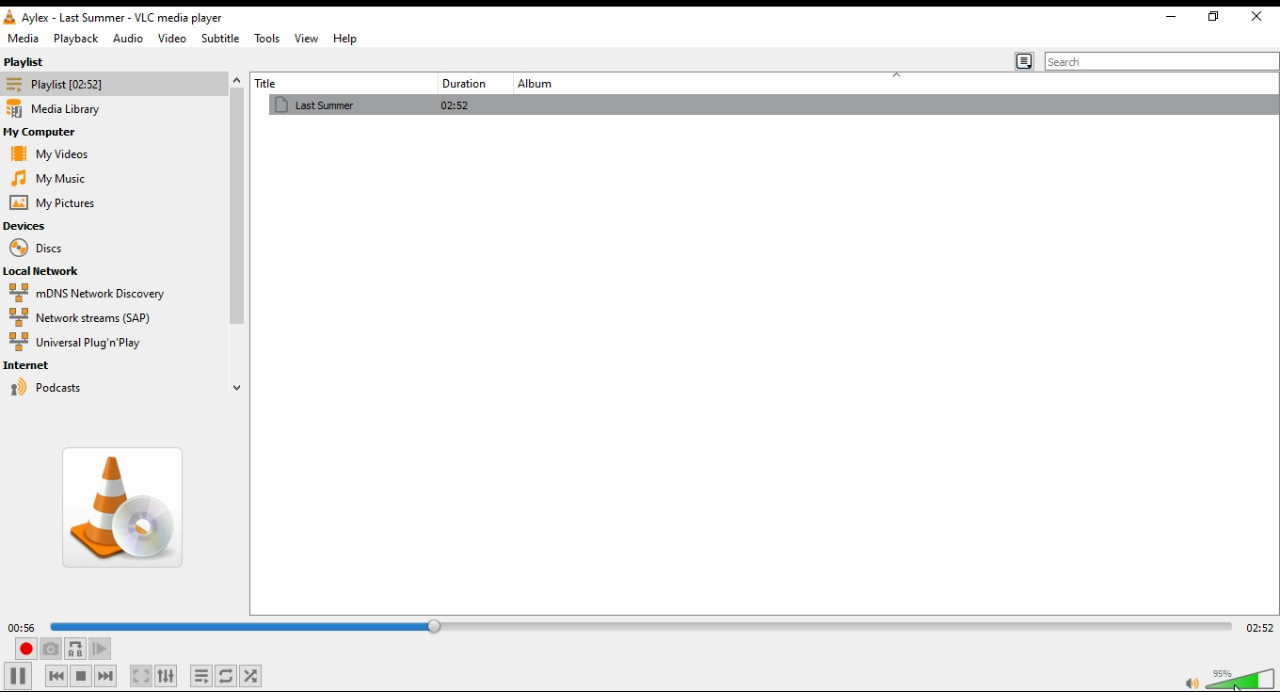 This screenshot has width=1280, height=692. I want to click on media, so click(23, 39).